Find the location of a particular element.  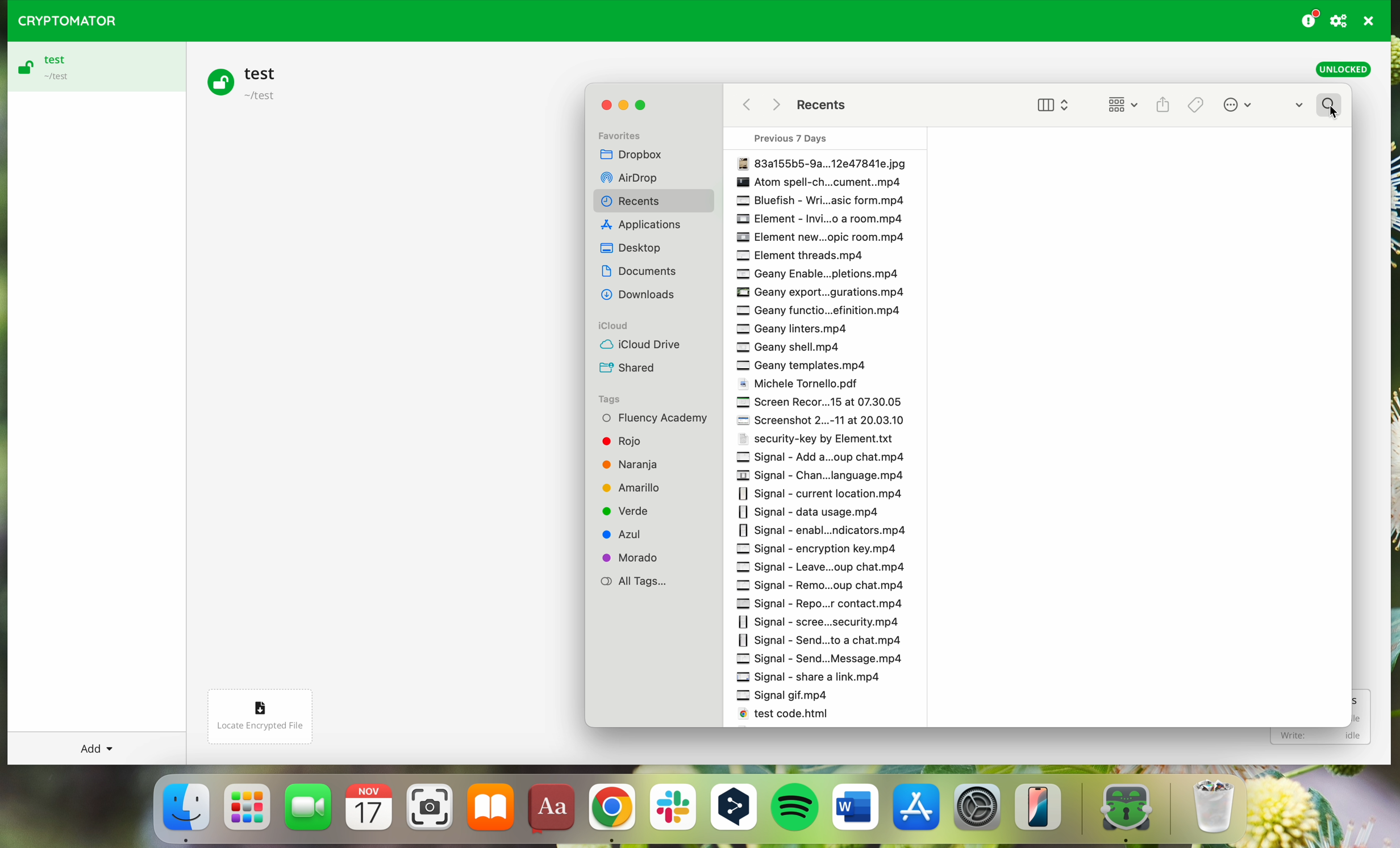

Favorites is located at coordinates (628, 132).